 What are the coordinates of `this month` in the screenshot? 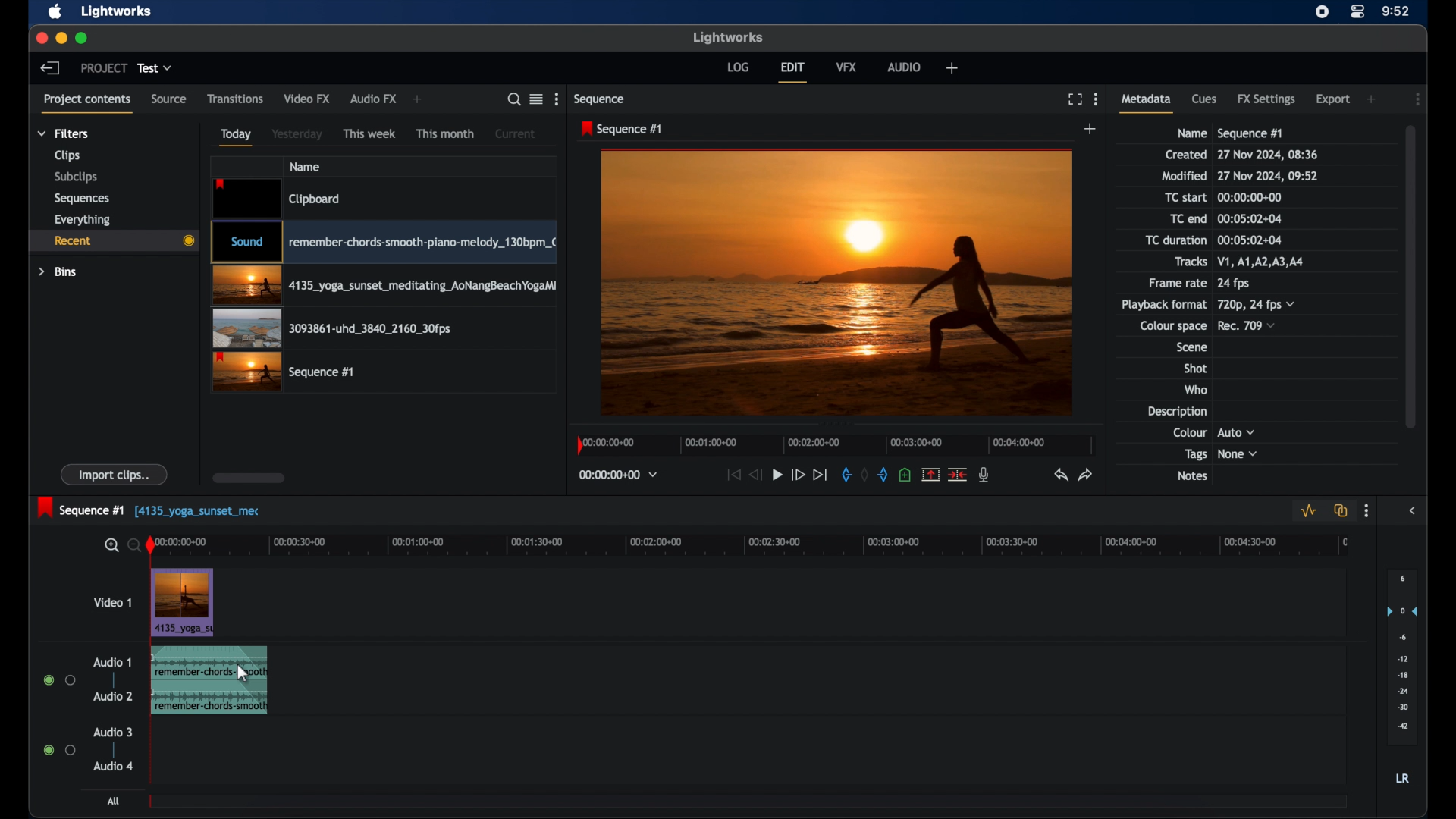 It's located at (446, 134).